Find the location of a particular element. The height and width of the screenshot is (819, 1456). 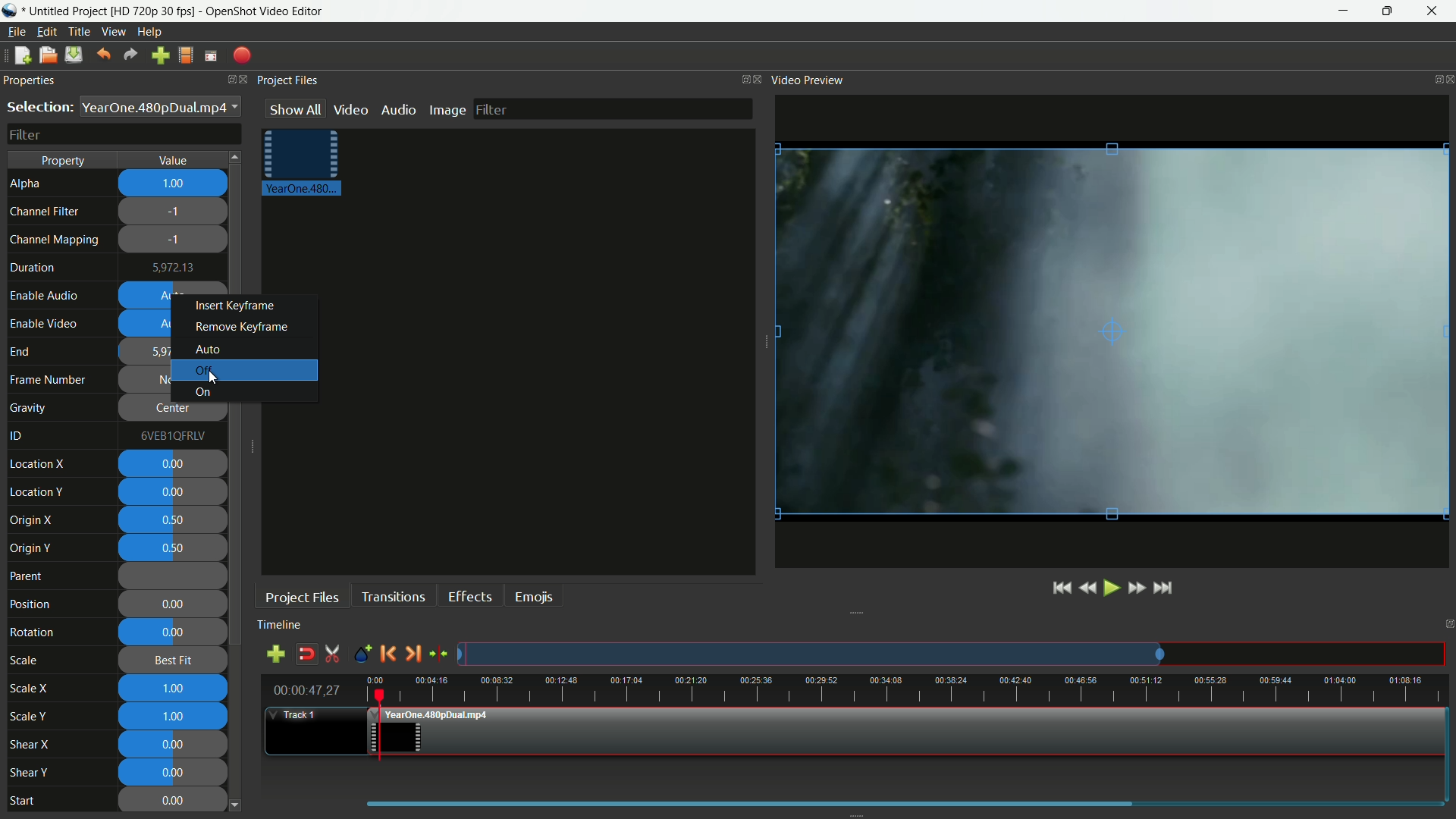

full screen is located at coordinates (211, 55).